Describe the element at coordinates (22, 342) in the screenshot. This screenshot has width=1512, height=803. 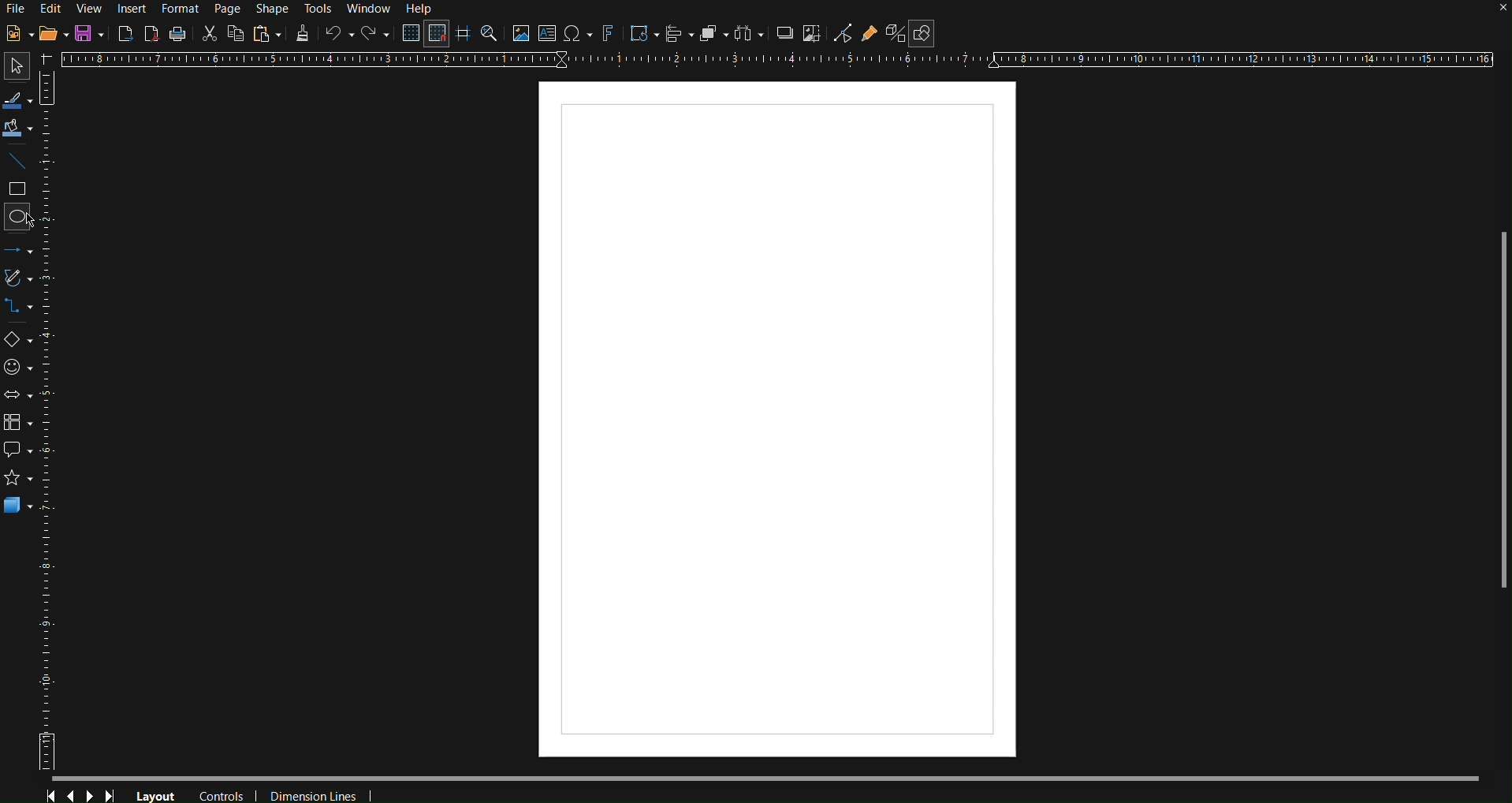
I see `Basic Shapes` at that location.